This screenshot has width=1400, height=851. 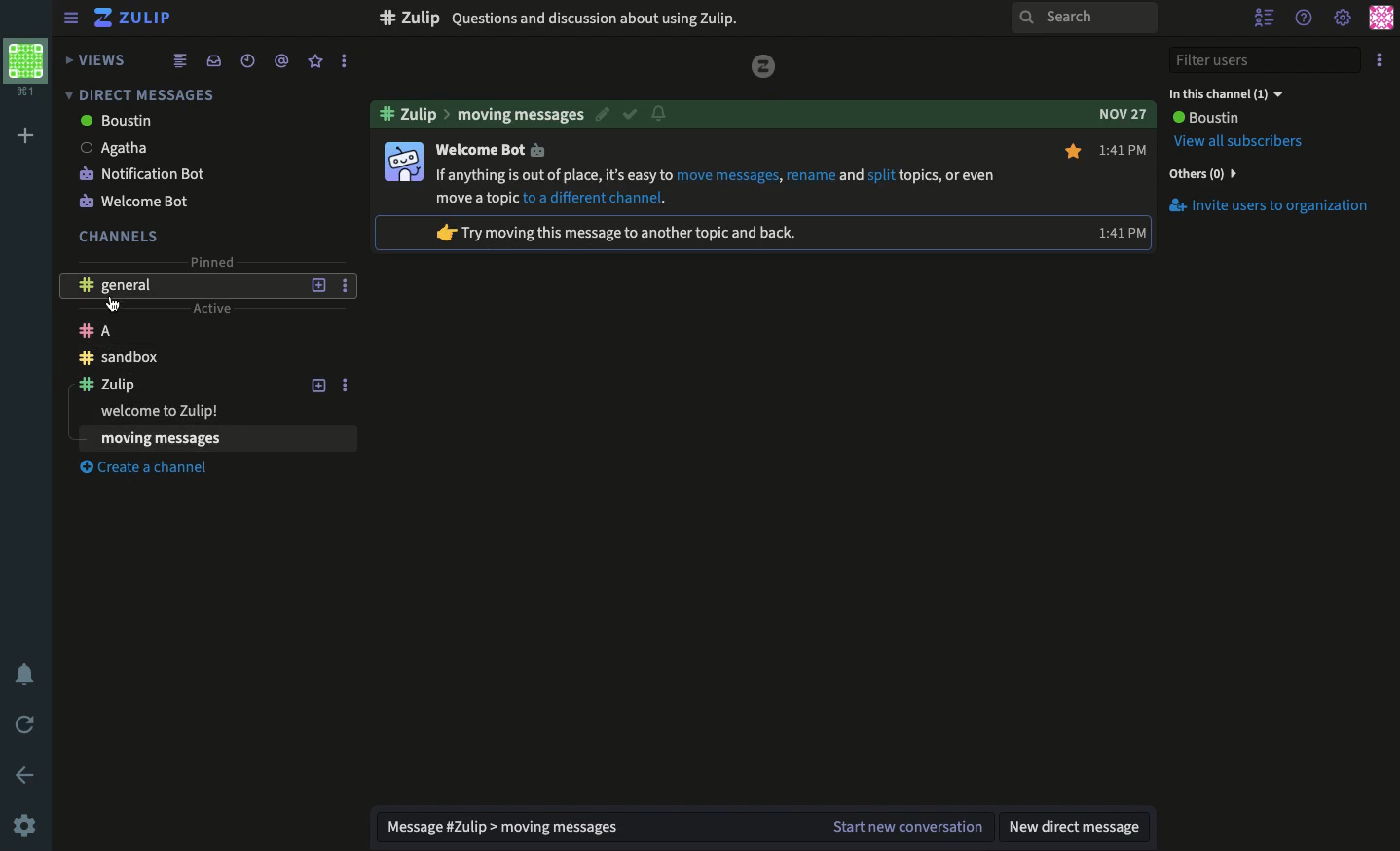 What do you see at coordinates (1268, 205) in the screenshot?
I see `Invite users` at bounding box center [1268, 205].